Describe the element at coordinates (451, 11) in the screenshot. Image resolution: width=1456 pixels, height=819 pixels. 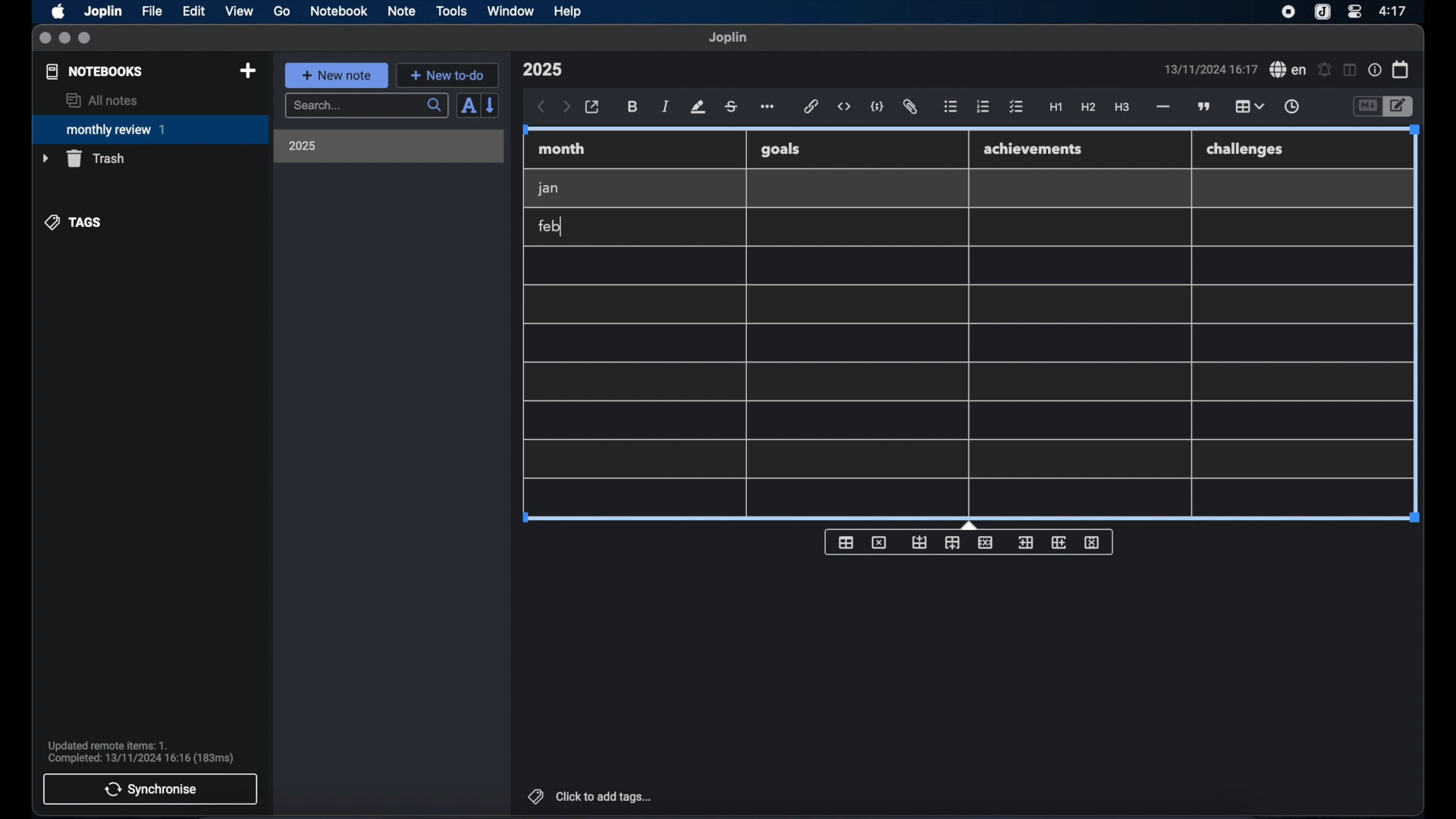
I see `tools` at that location.